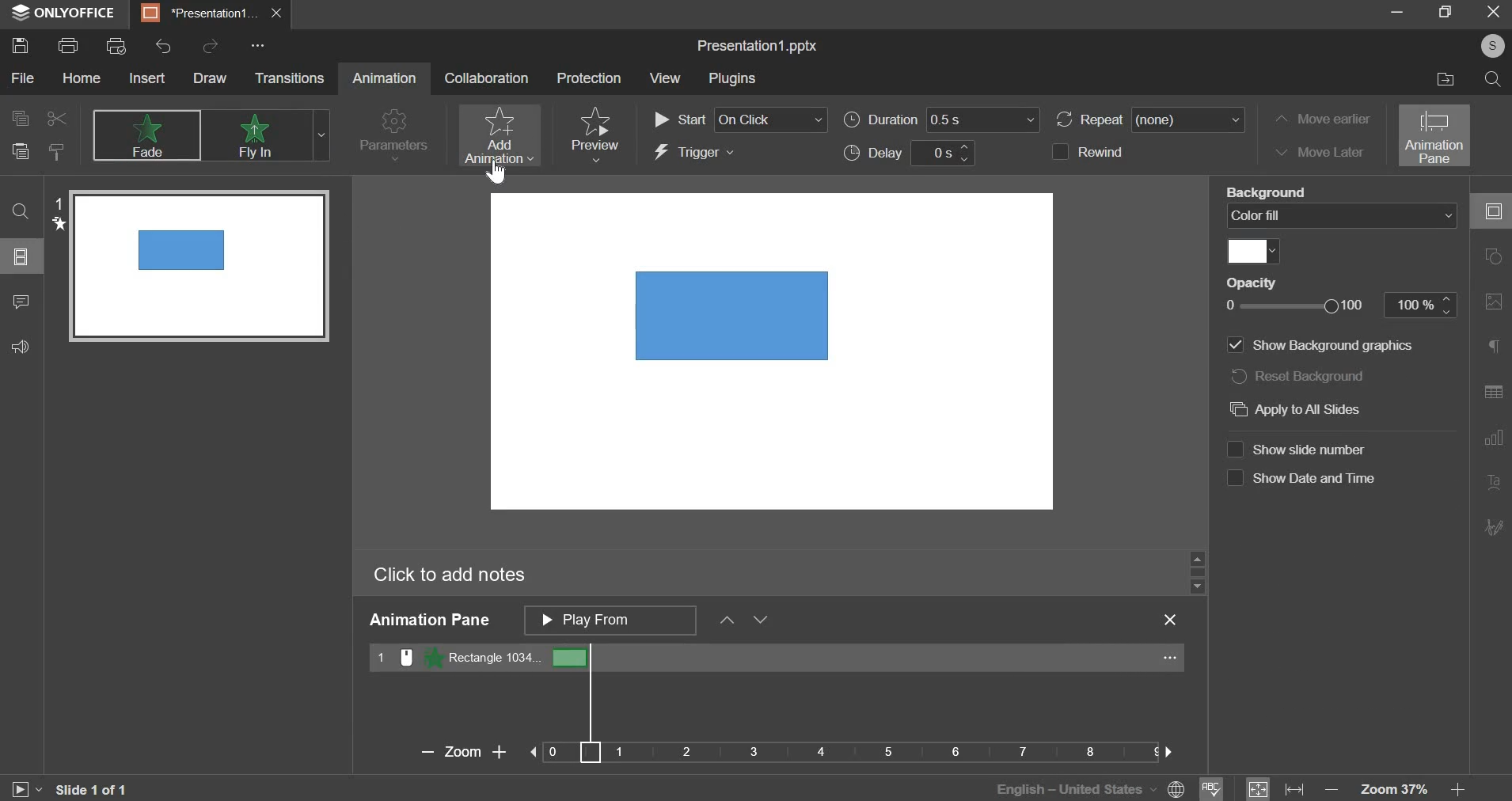 This screenshot has width=1512, height=801. What do you see at coordinates (71, 46) in the screenshot?
I see `print` at bounding box center [71, 46].